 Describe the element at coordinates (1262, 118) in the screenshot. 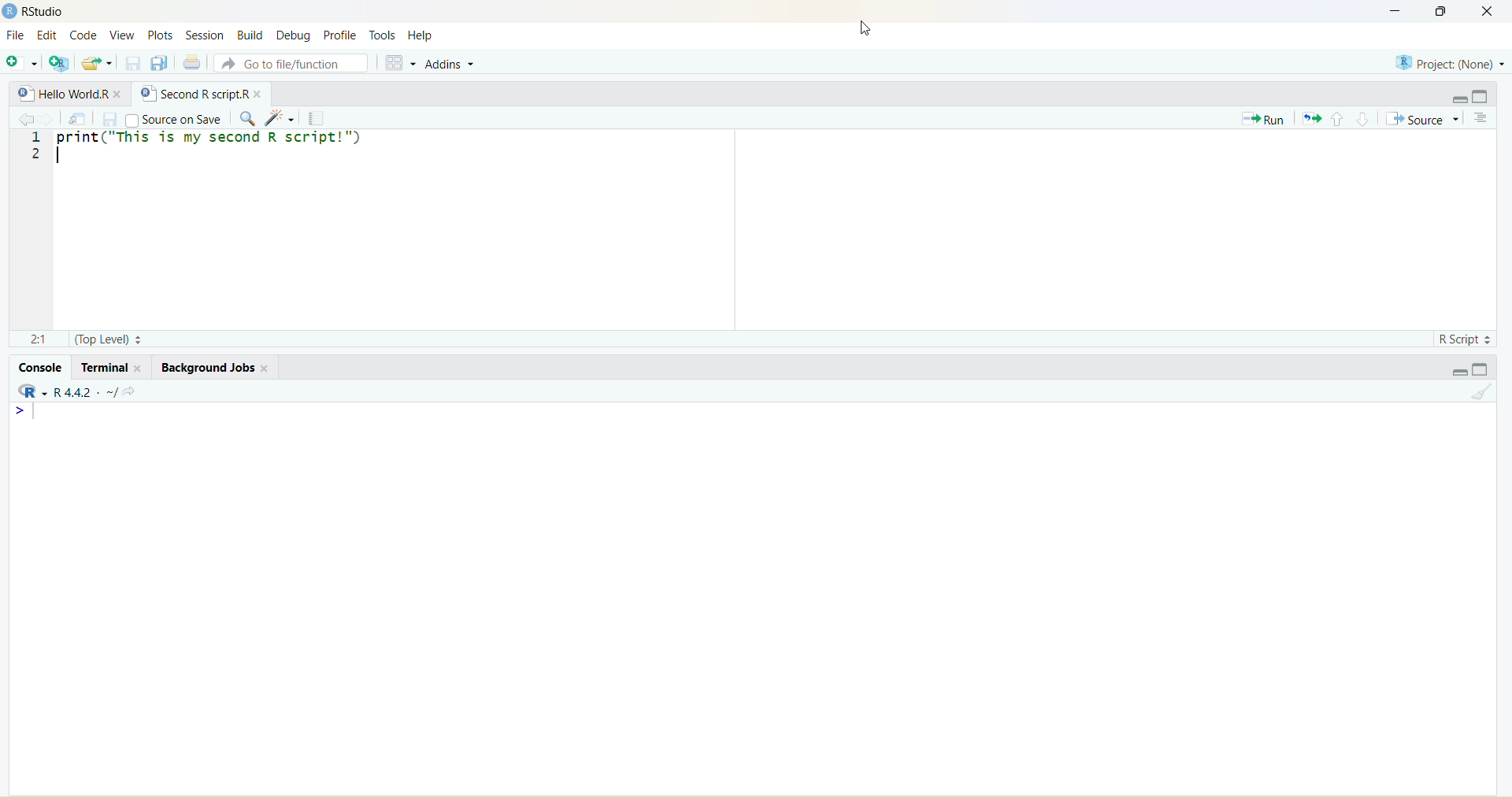

I see `Run the current line or selection (Ctrl + Enter)` at that location.